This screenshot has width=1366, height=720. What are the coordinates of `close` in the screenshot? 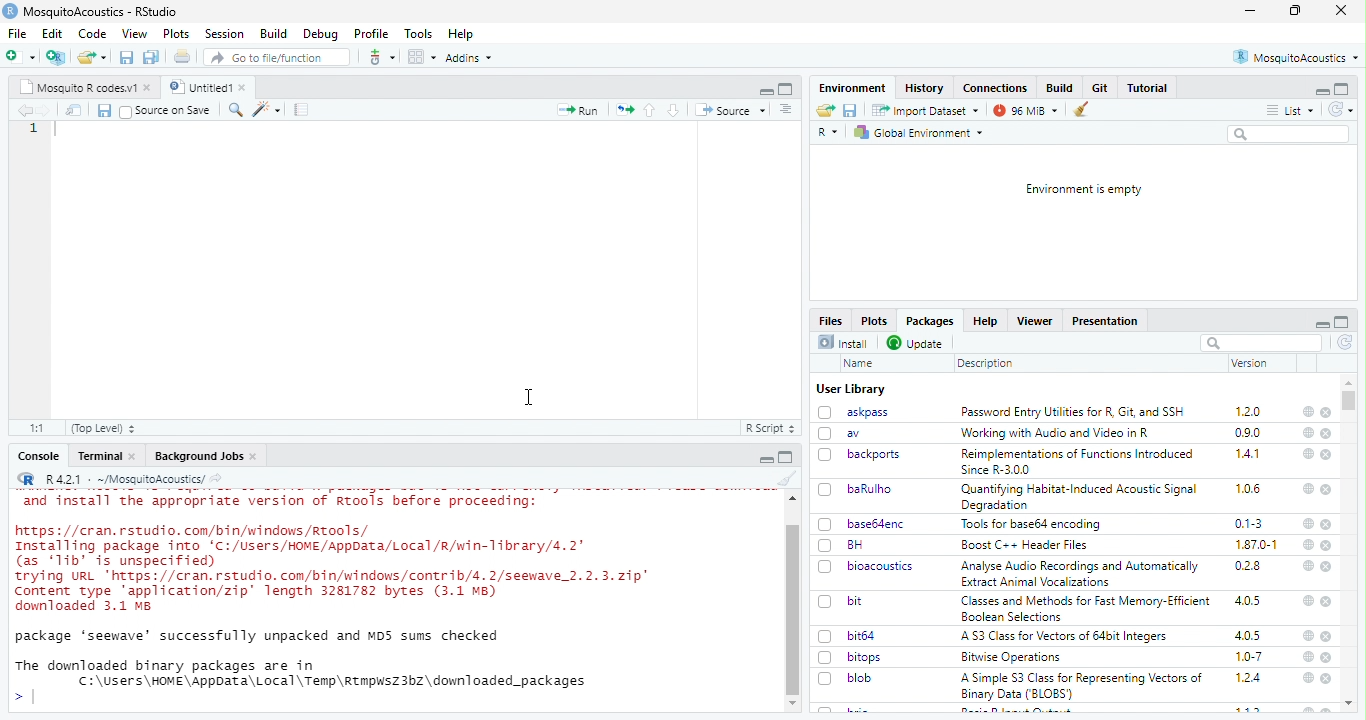 It's located at (1328, 567).